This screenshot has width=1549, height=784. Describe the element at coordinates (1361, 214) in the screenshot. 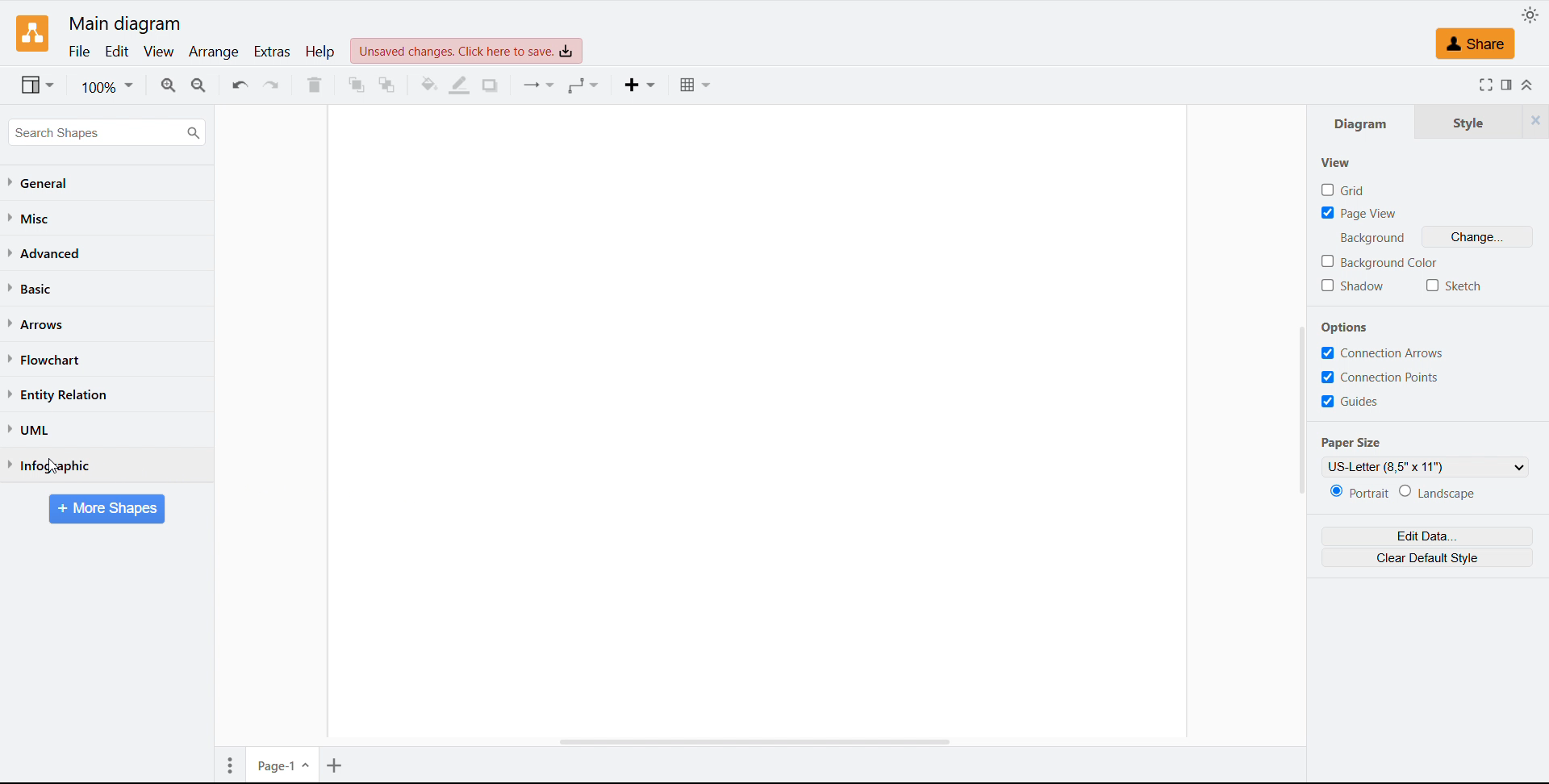

I see `Page view ` at that location.